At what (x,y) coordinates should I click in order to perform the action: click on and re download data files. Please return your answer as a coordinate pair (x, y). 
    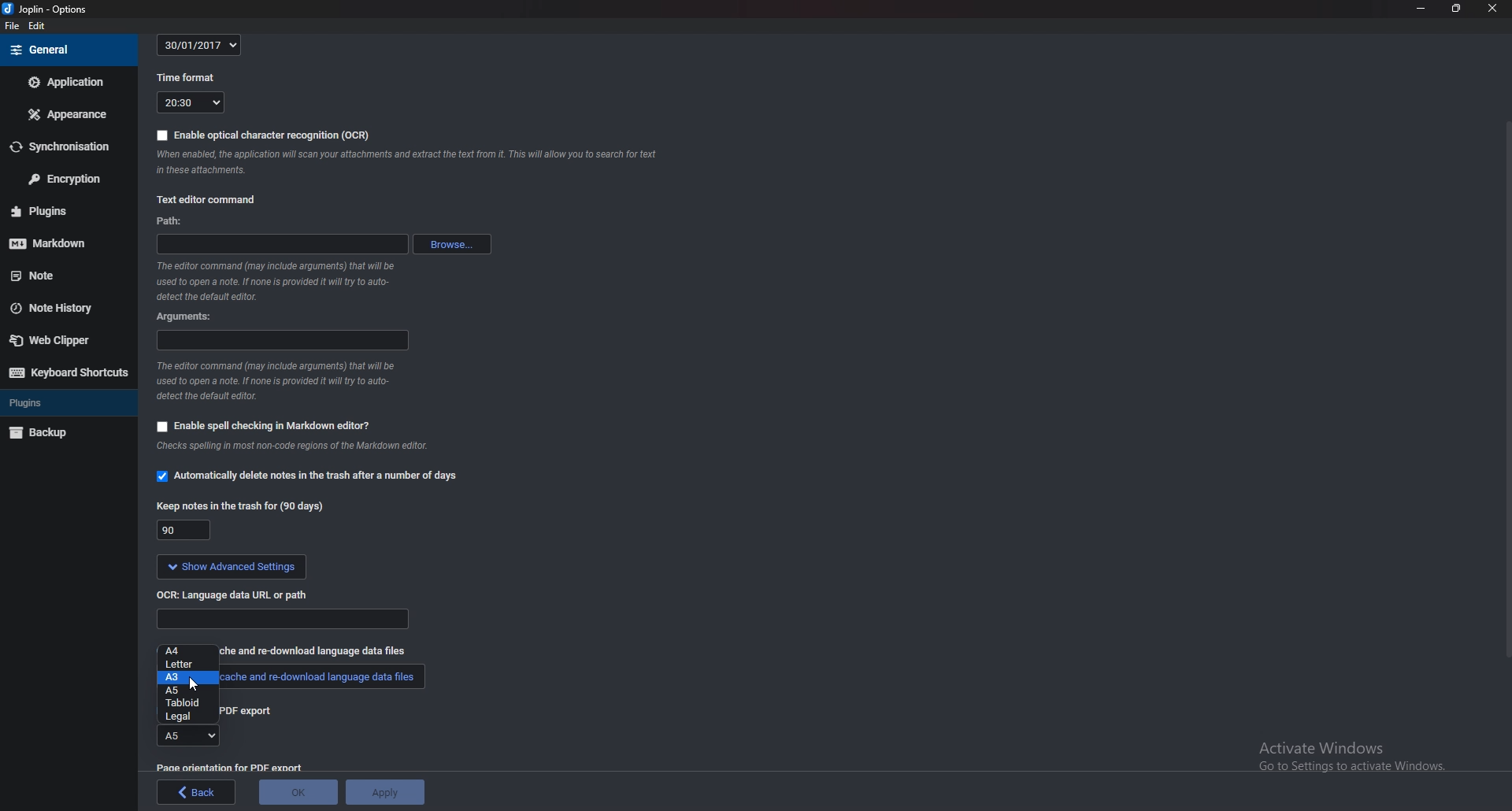
    Looking at the image, I should click on (335, 654).